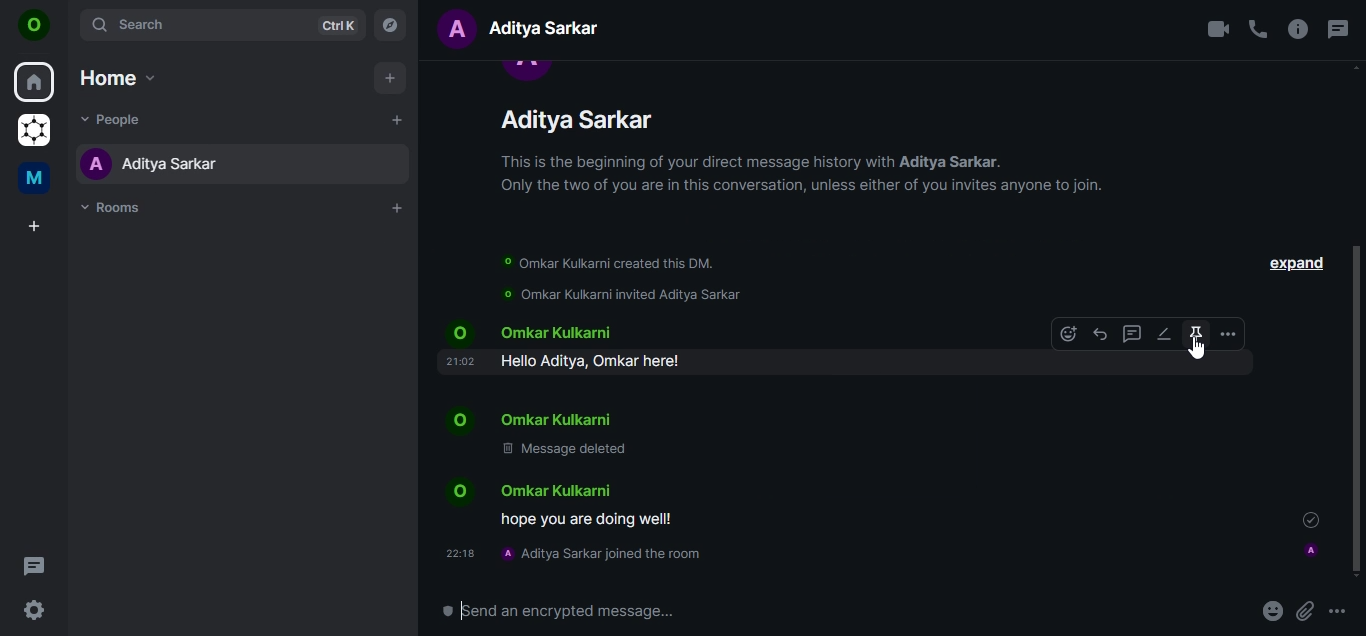 The width and height of the screenshot is (1366, 636). I want to click on aditya sarkar, so click(156, 165).